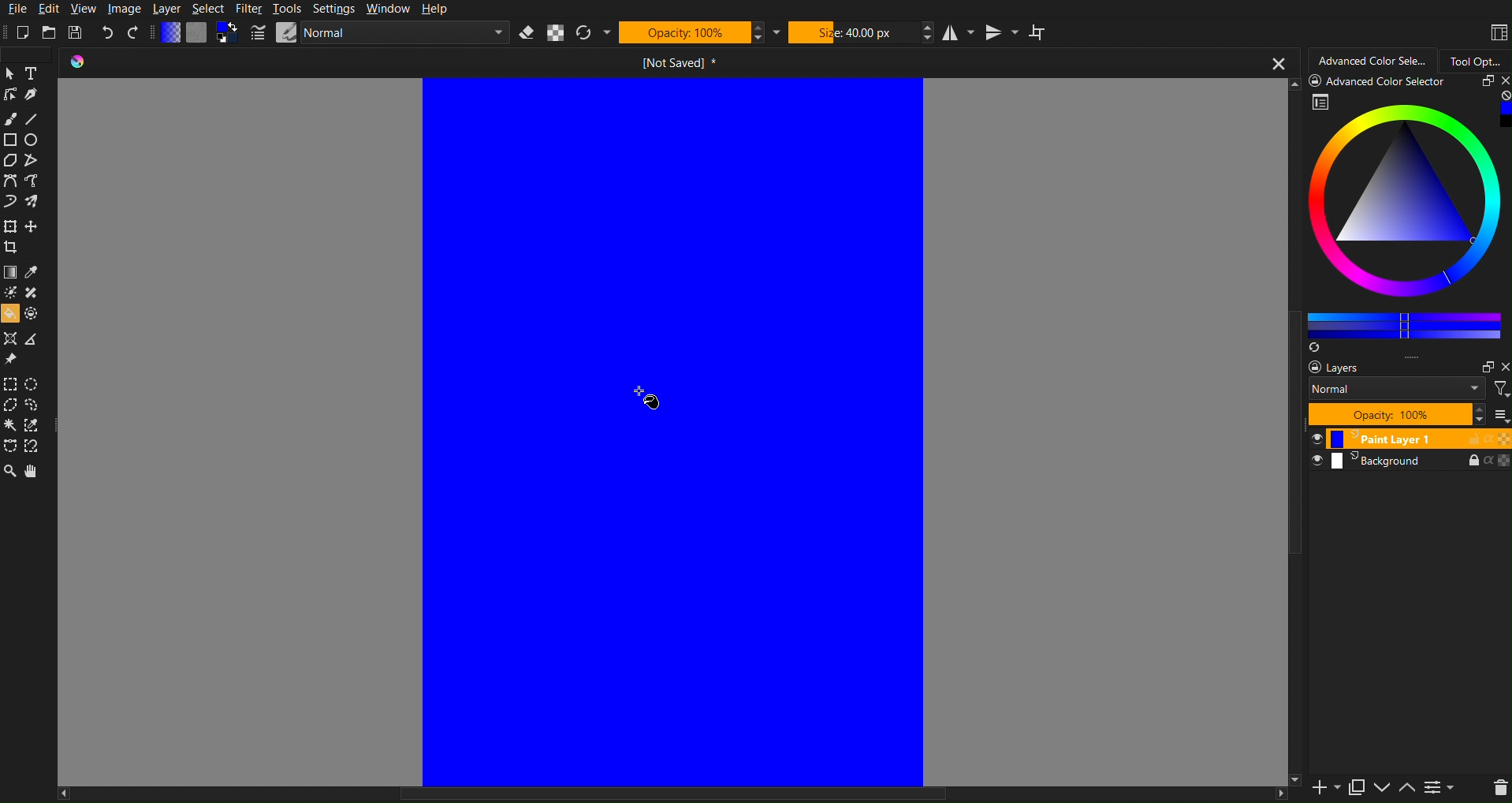  Describe the element at coordinates (34, 72) in the screenshot. I see `Text` at that location.